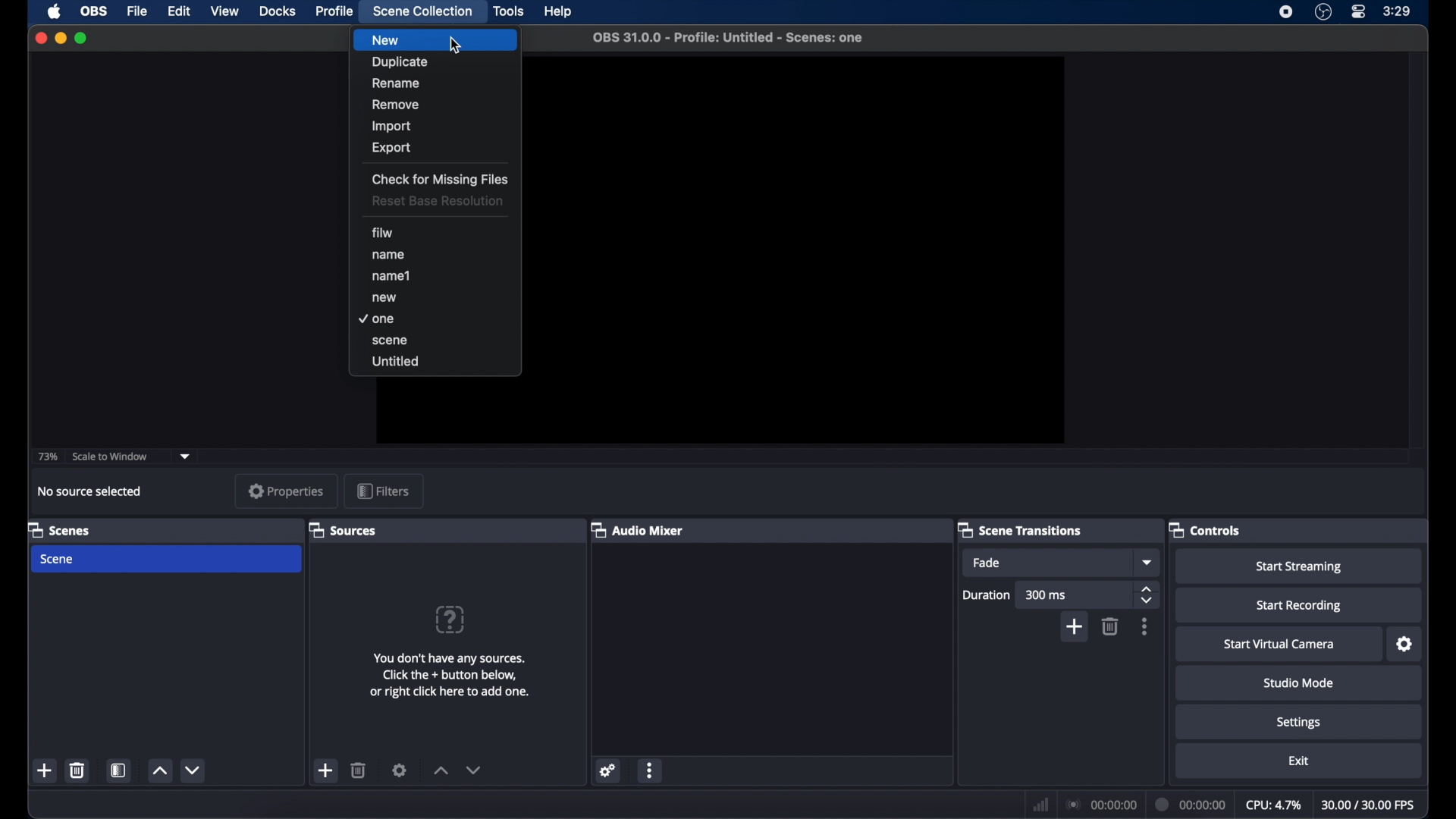  I want to click on open scene filter, so click(117, 770).